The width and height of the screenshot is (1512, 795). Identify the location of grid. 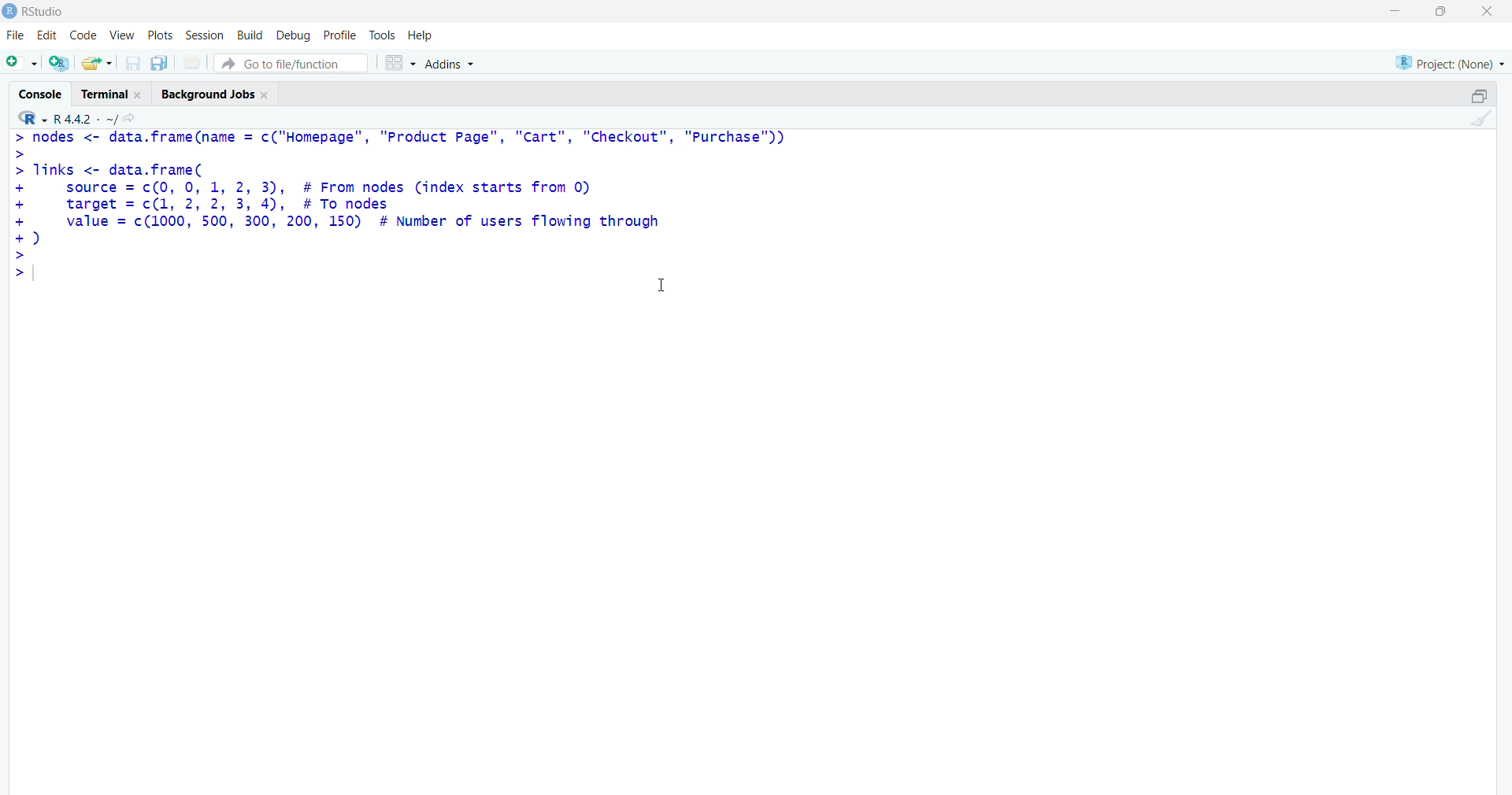
(396, 64).